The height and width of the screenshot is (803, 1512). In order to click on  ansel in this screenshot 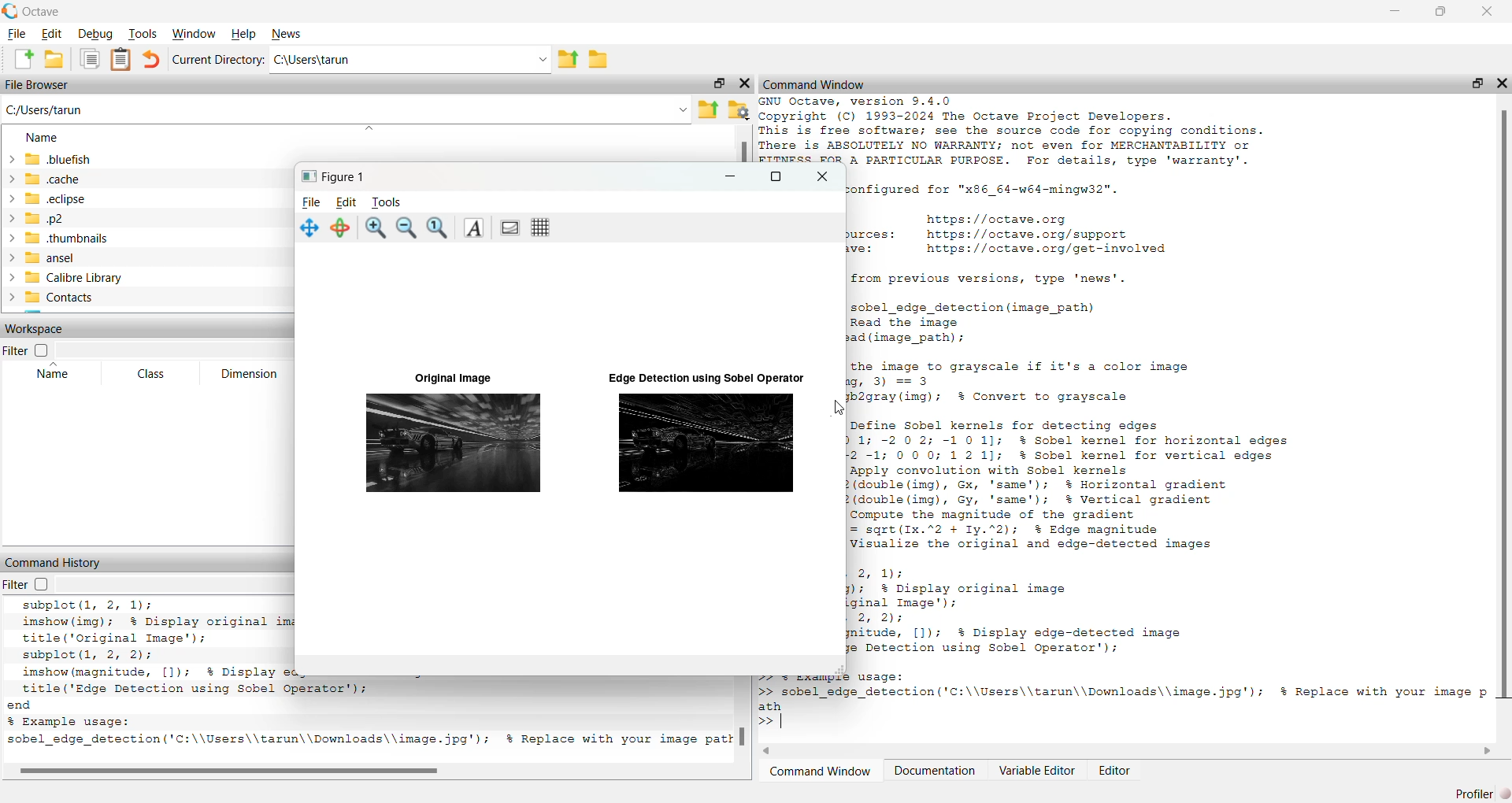, I will do `click(46, 257)`.